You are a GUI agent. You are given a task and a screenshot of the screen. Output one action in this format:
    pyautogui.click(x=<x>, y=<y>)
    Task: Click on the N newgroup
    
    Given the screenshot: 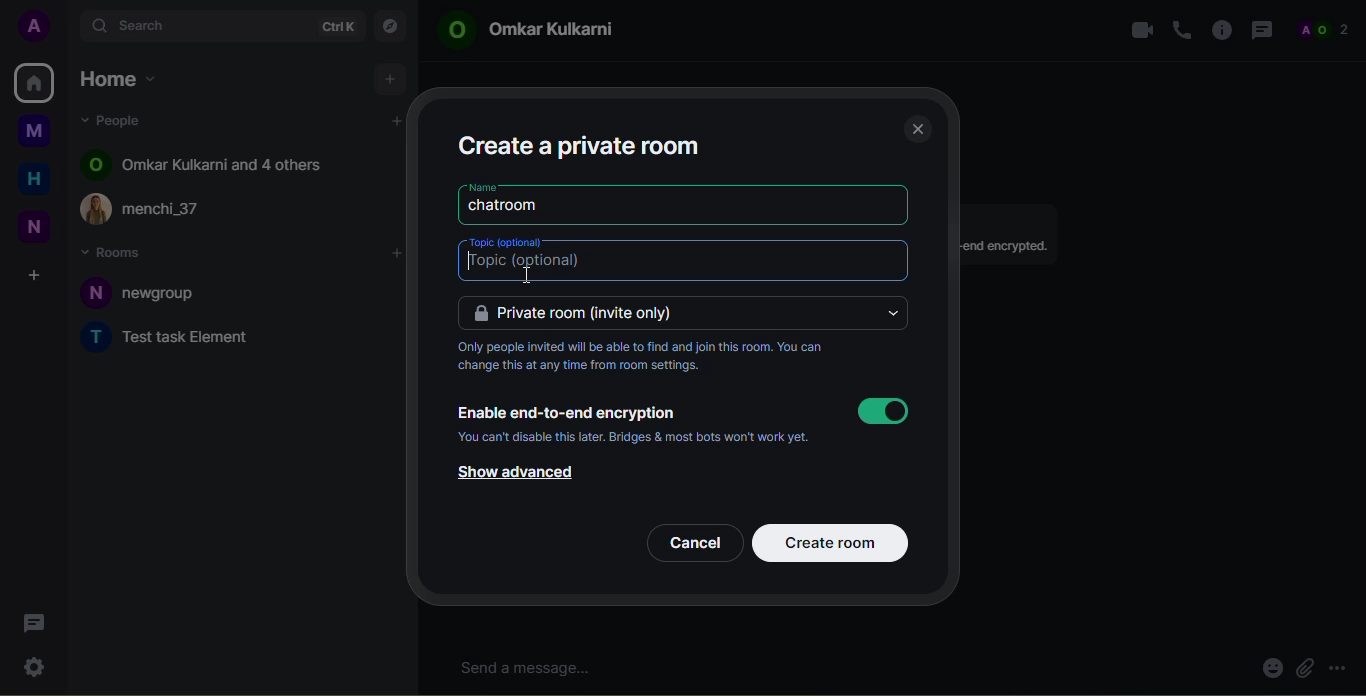 What is the action you would take?
    pyautogui.click(x=148, y=292)
    